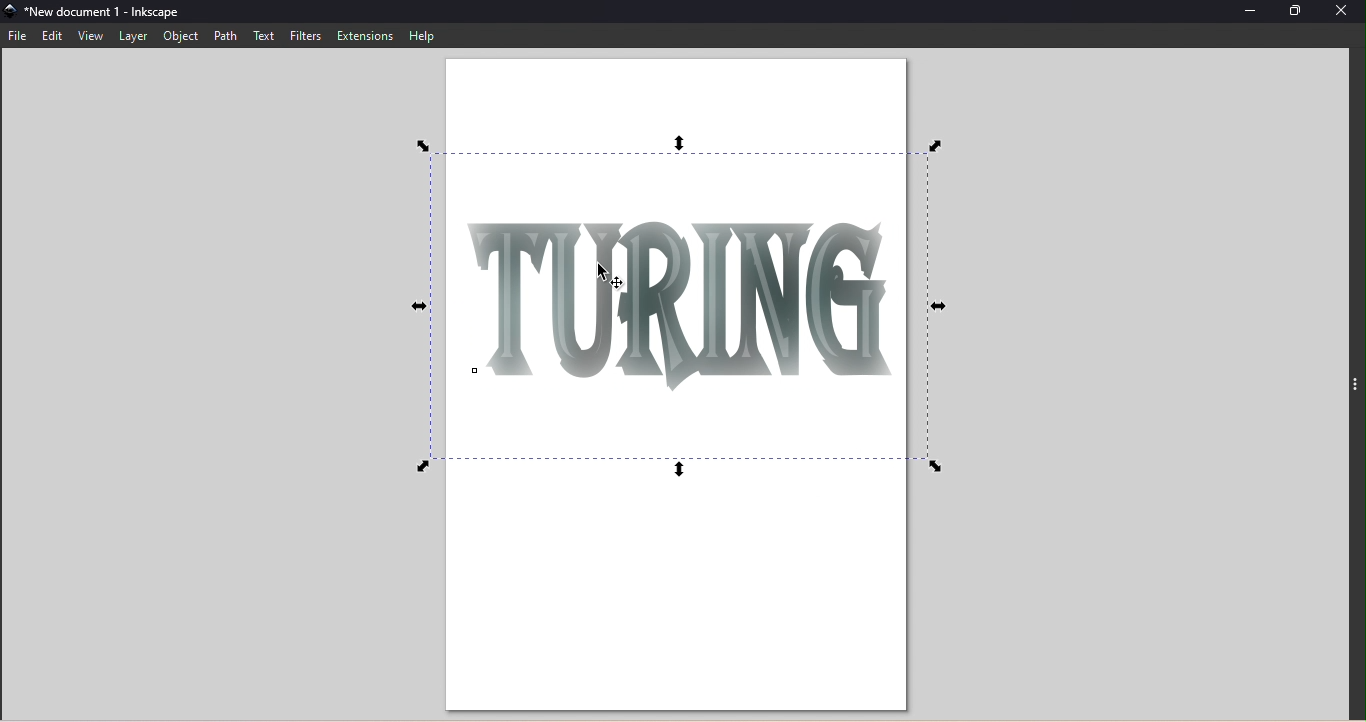 This screenshot has width=1366, height=722. What do you see at coordinates (52, 38) in the screenshot?
I see `Edit` at bounding box center [52, 38].